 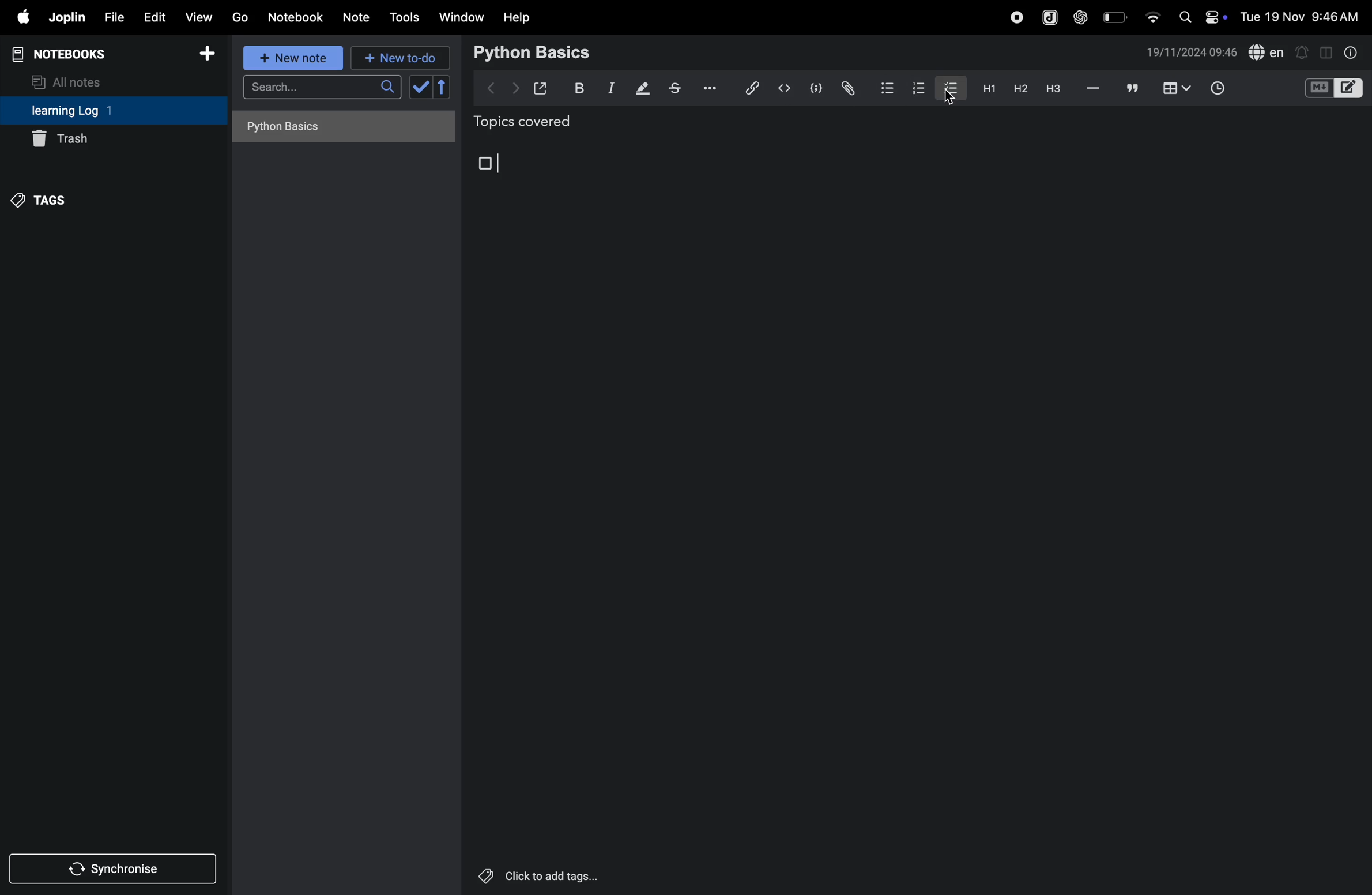 What do you see at coordinates (487, 163) in the screenshot?
I see `checkbox` at bounding box center [487, 163].